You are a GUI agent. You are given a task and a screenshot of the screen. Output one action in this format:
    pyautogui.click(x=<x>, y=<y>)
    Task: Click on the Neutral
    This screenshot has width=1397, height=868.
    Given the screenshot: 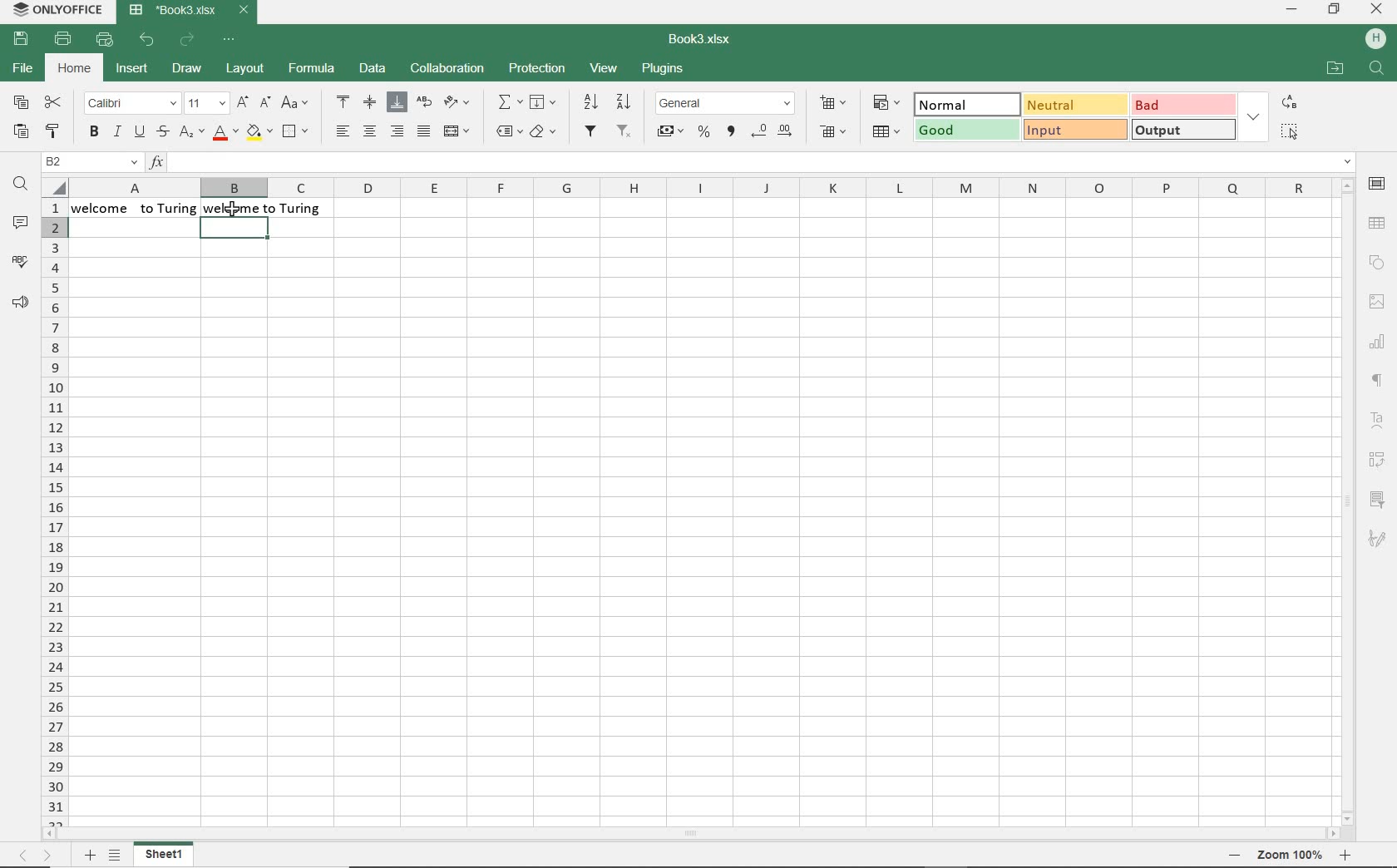 What is the action you would take?
    pyautogui.click(x=1074, y=104)
    